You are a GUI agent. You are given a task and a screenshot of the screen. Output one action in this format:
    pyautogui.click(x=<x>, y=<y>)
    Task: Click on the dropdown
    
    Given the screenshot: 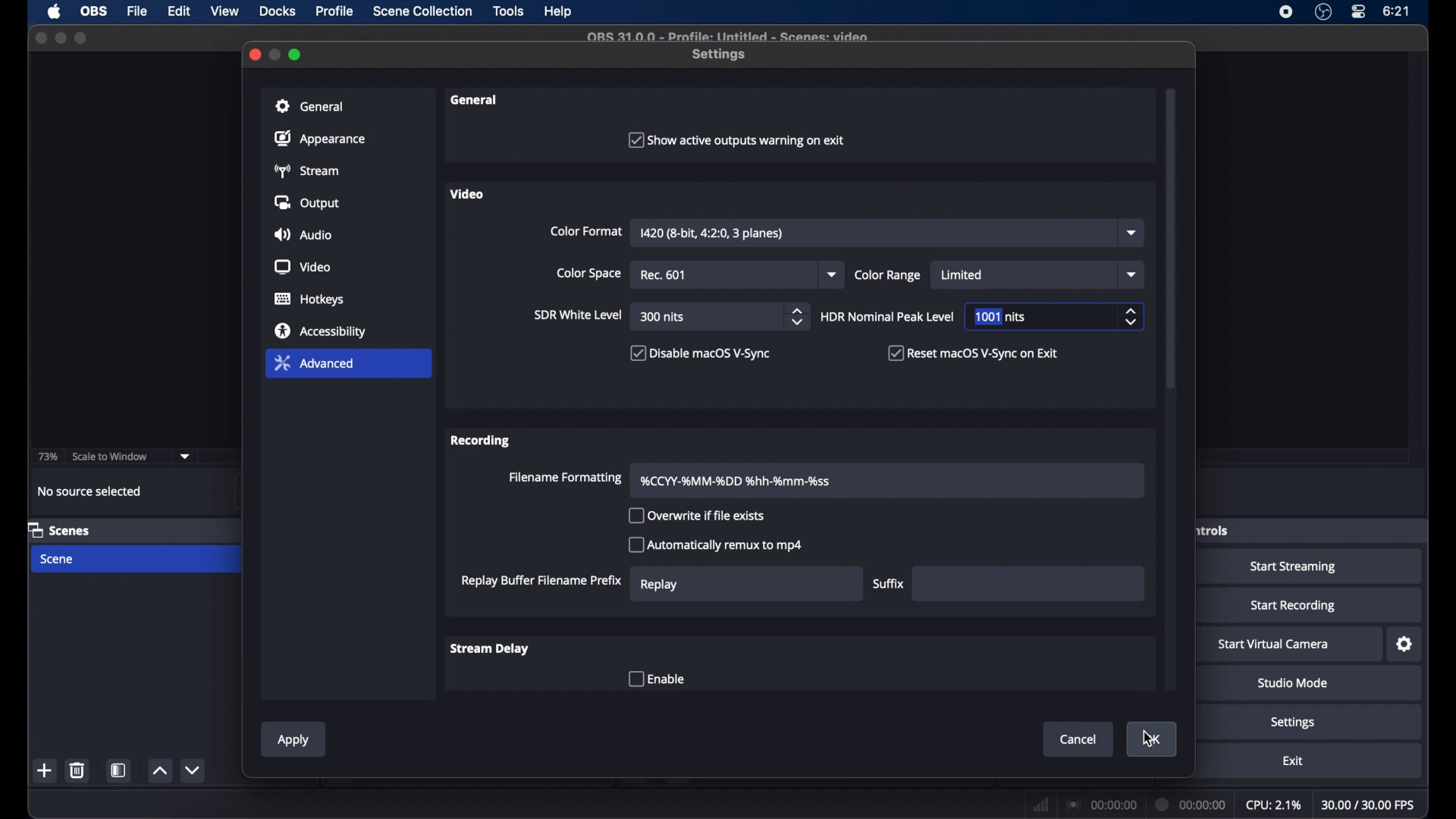 What is the action you would take?
    pyautogui.click(x=1132, y=232)
    